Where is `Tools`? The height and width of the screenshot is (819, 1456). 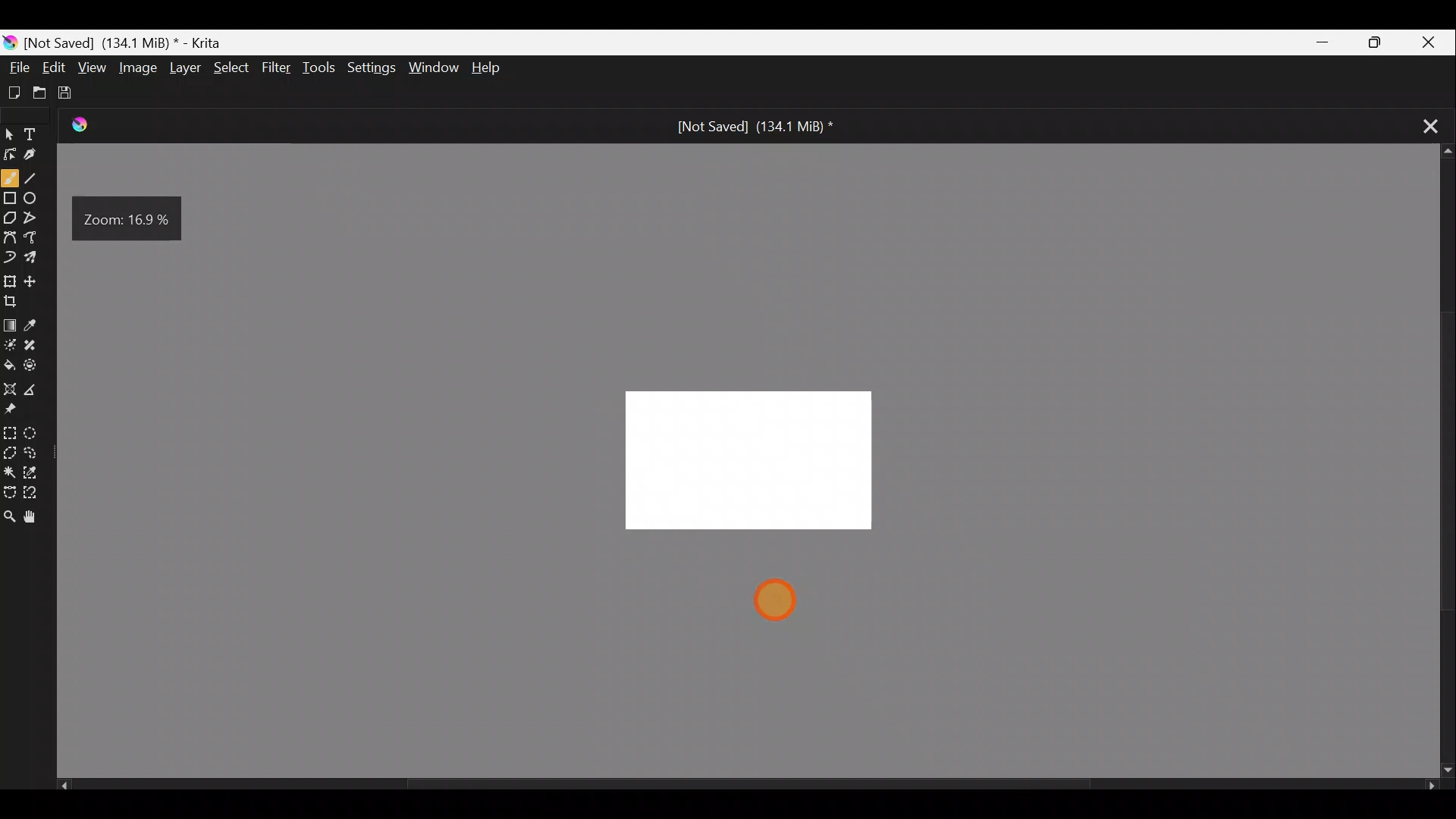
Tools is located at coordinates (322, 68).